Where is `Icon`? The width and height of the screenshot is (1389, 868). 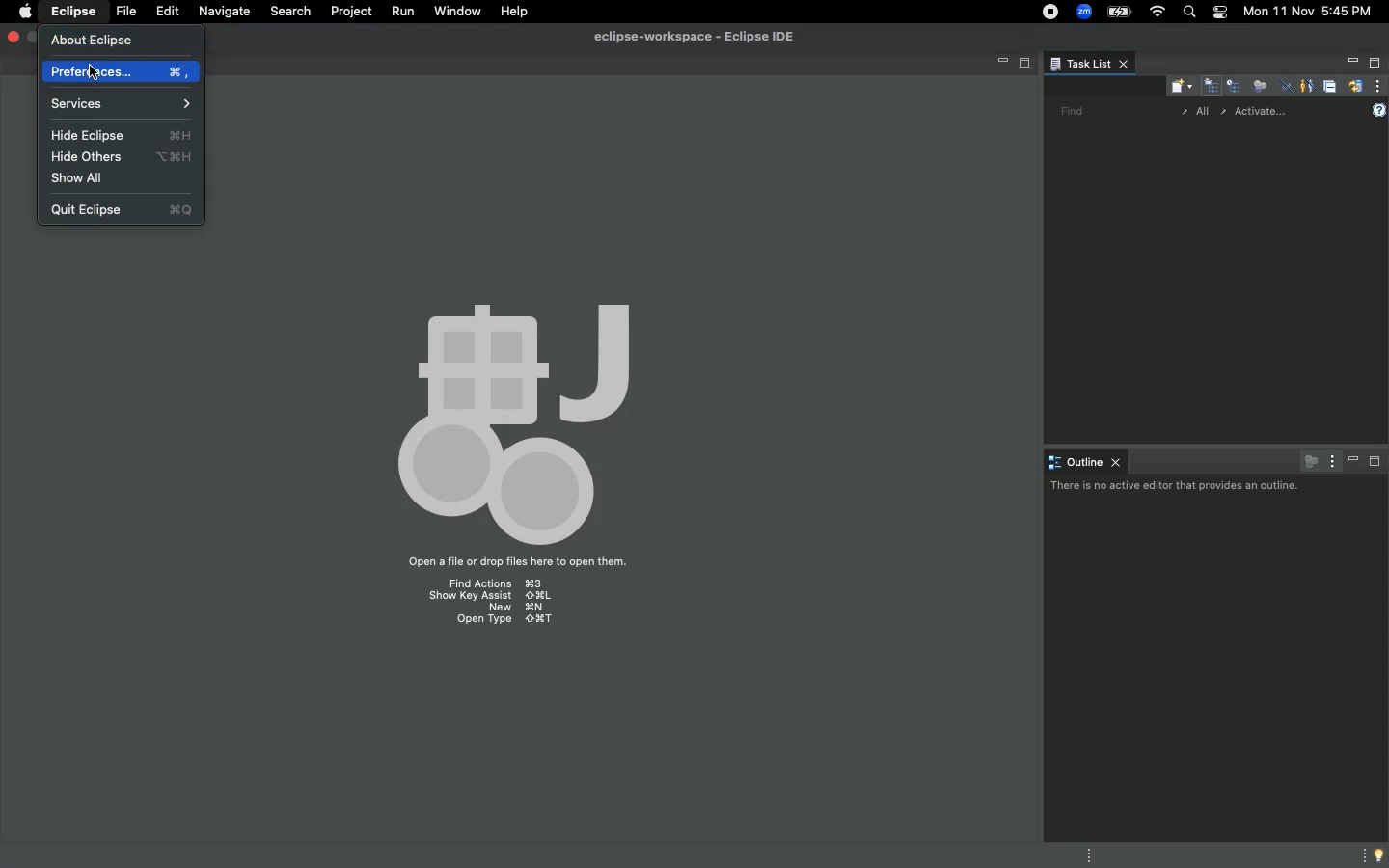
Icon is located at coordinates (513, 414).